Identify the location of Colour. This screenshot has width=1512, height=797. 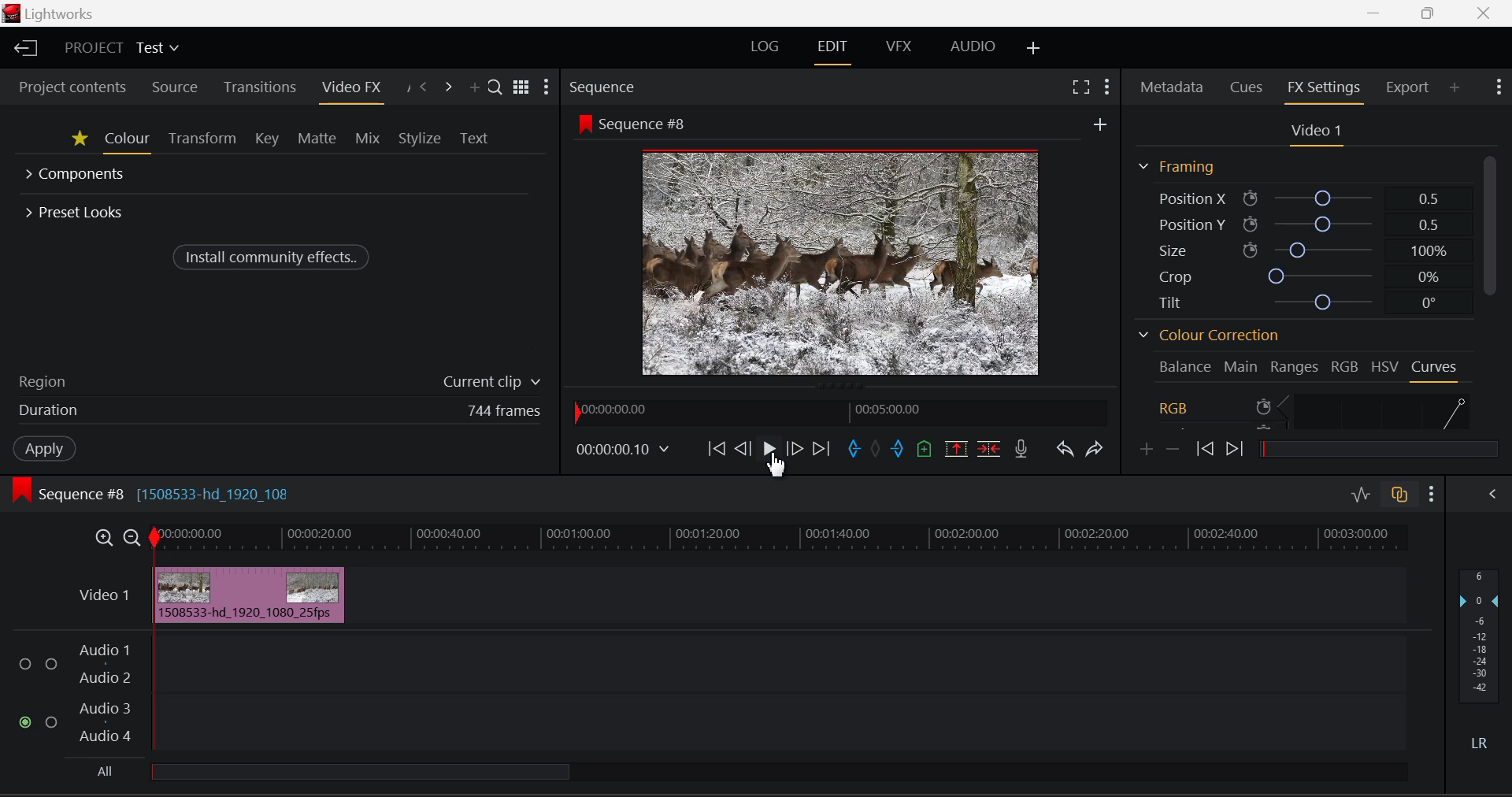
(128, 141).